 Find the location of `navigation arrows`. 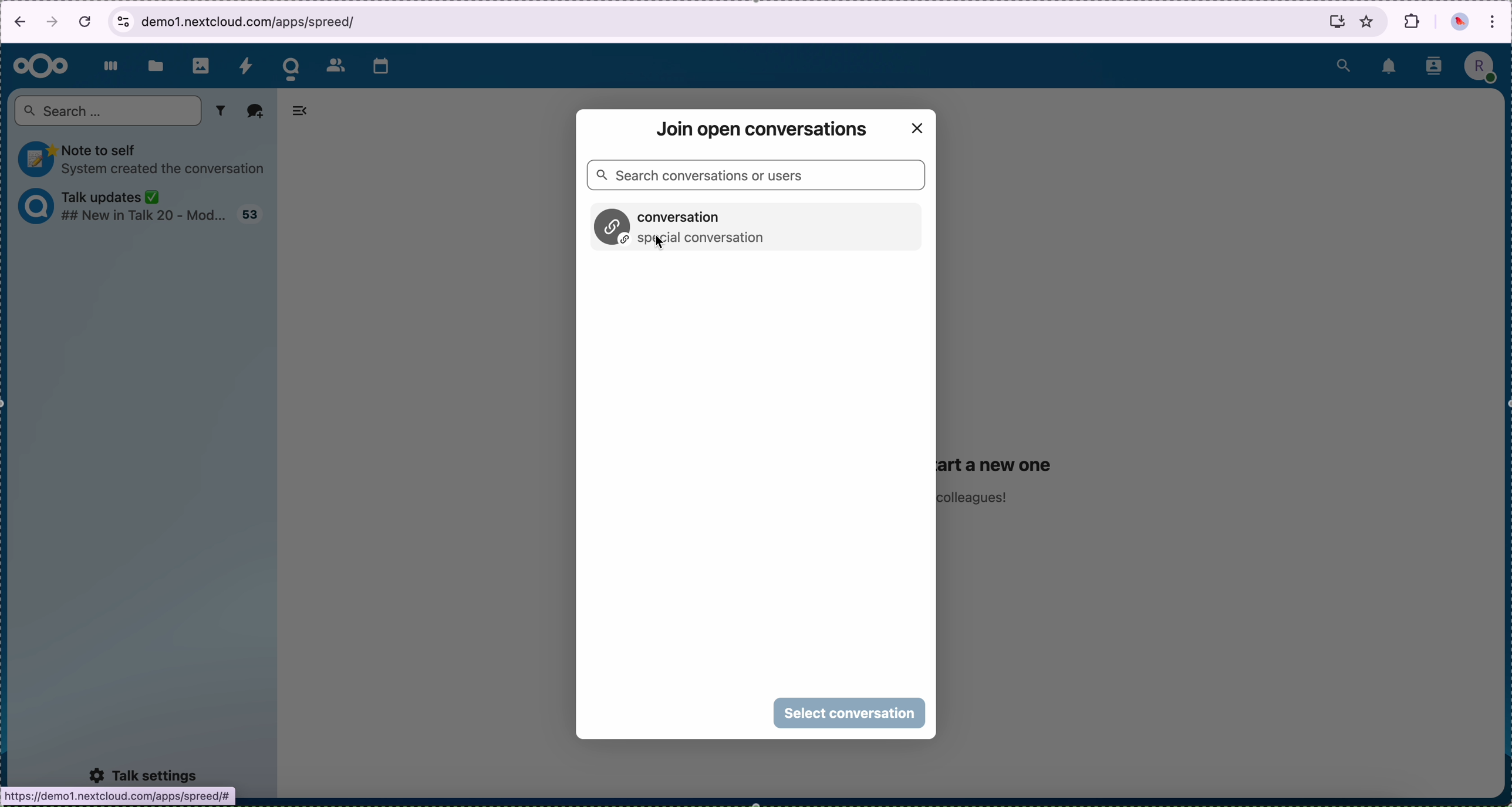

navigation arrows is located at coordinates (33, 21).